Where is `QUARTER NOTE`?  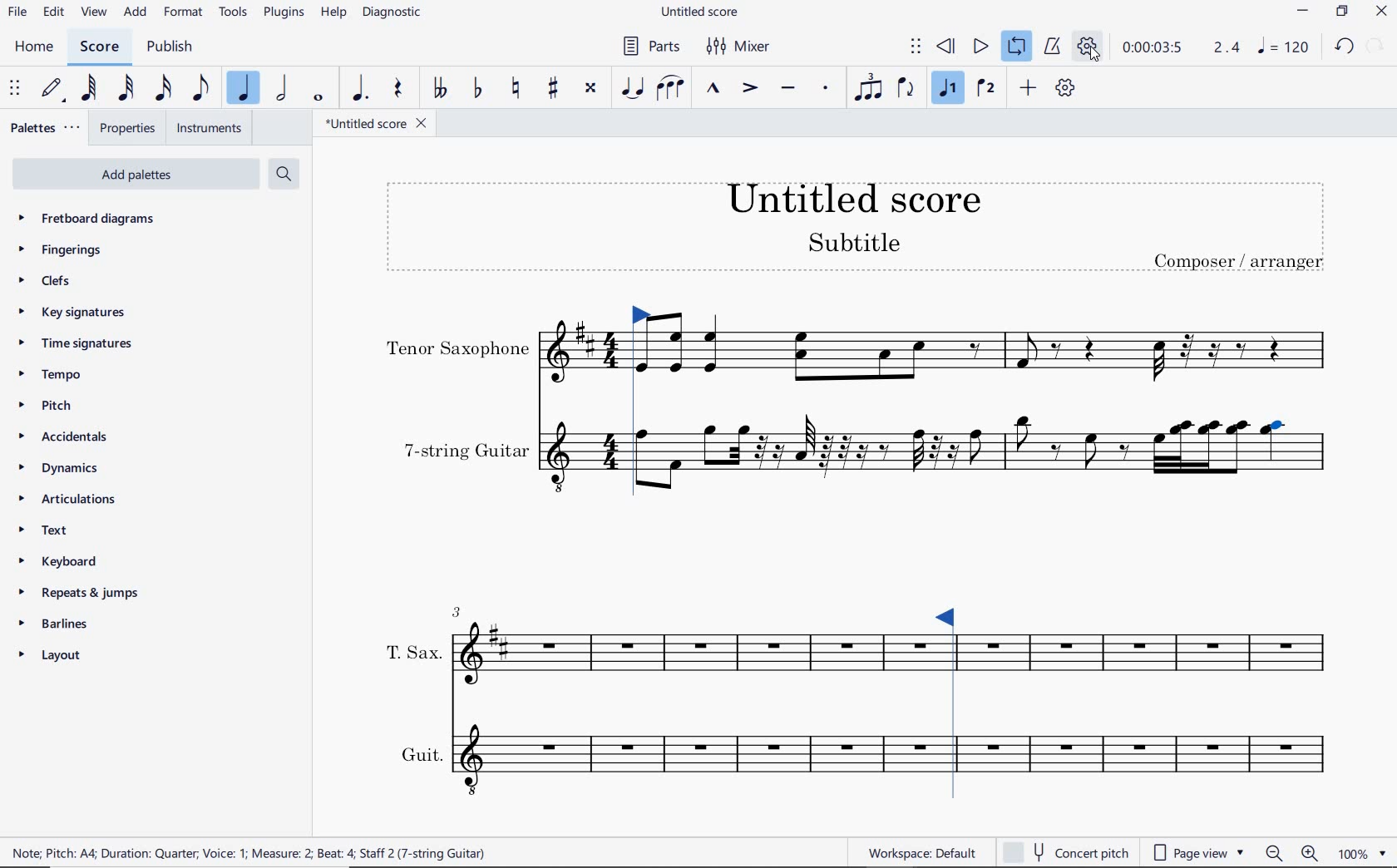 QUARTER NOTE is located at coordinates (244, 88).